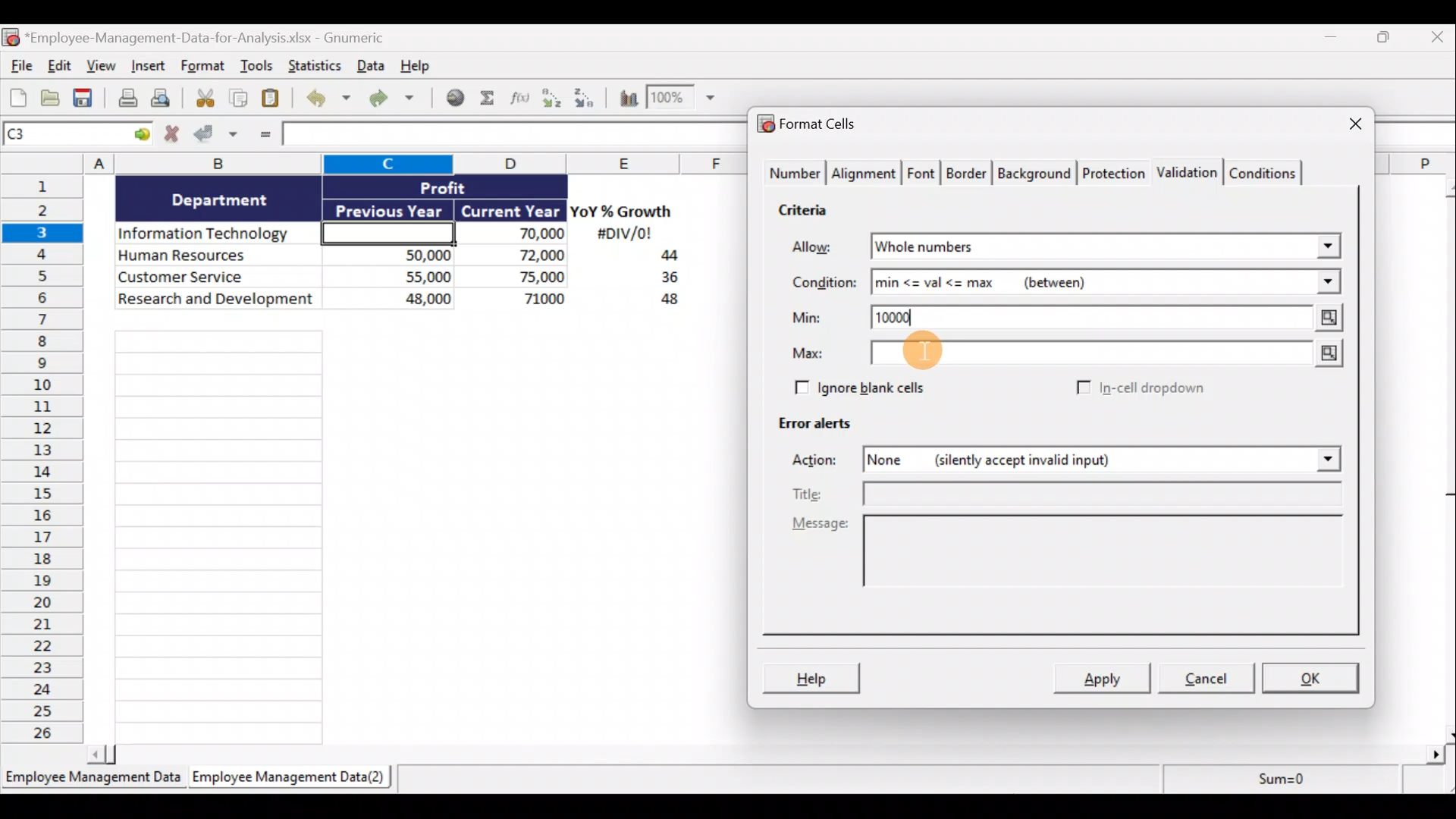 Image resolution: width=1456 pixels, height=819 pixels. Describe the element at coordinates (103, 67) in the screenshot. I see `View` at that location.